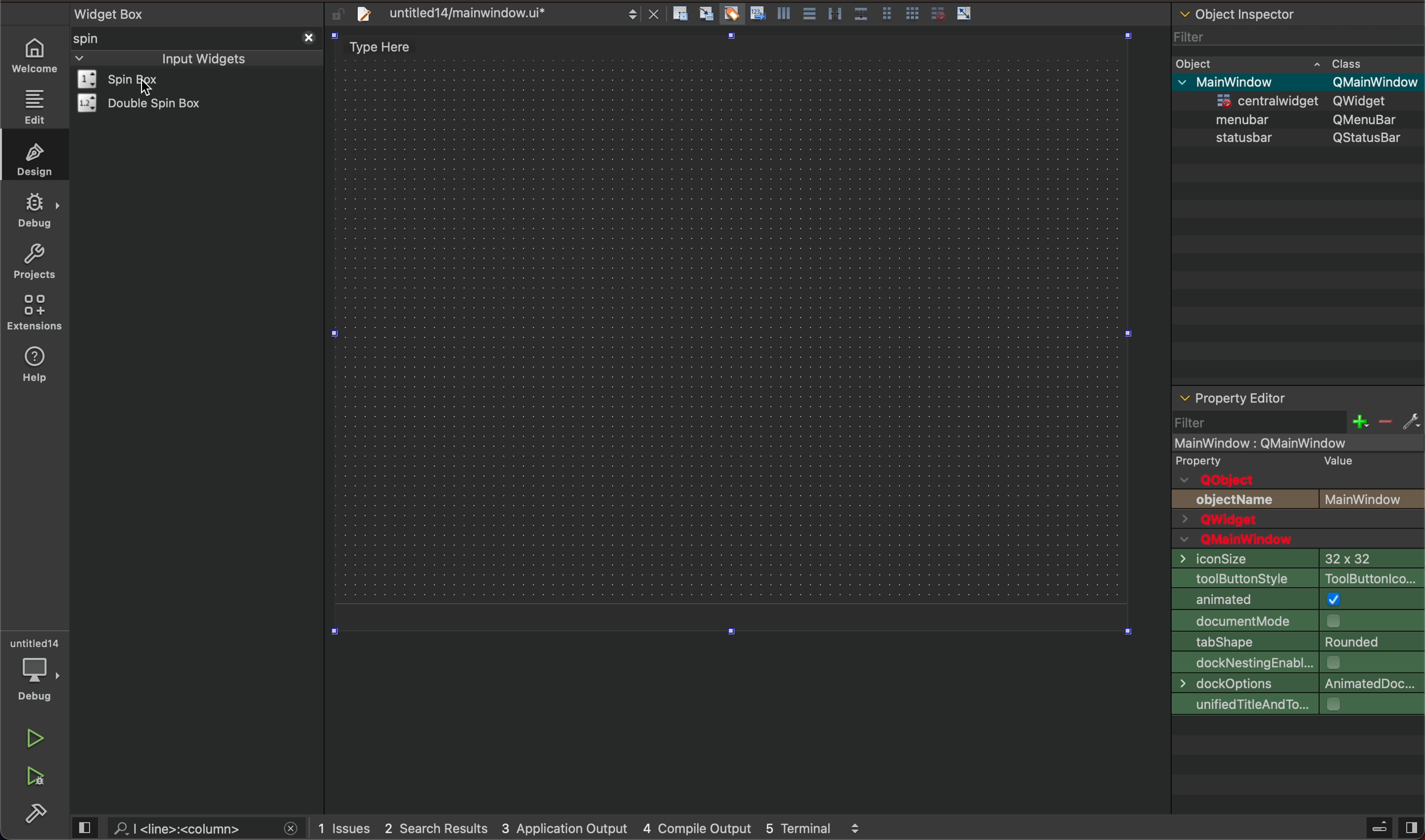 Image resolution: width=1425 pixels, height=840 pixels. Describe the element at coordinates (1253, 540) in the screenshot. I see `text` at that location.